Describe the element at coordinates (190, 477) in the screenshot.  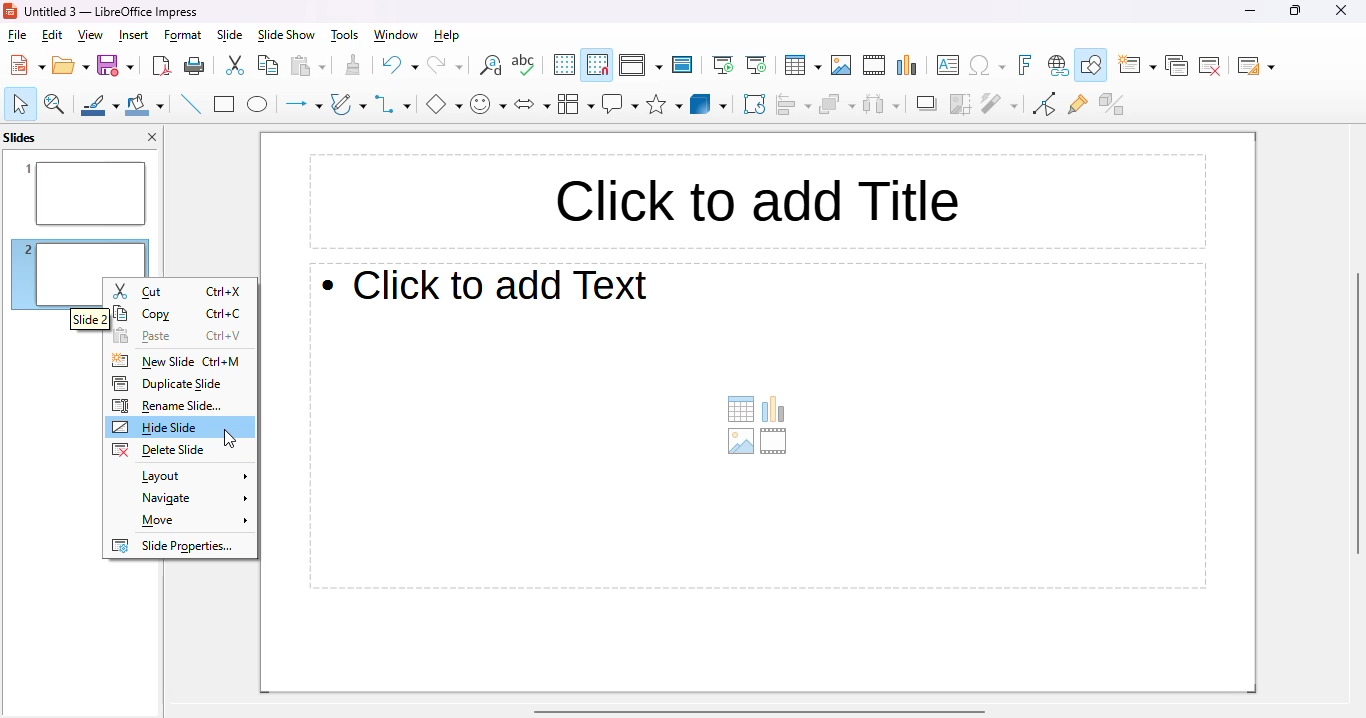
I see `layout slide` at that location.